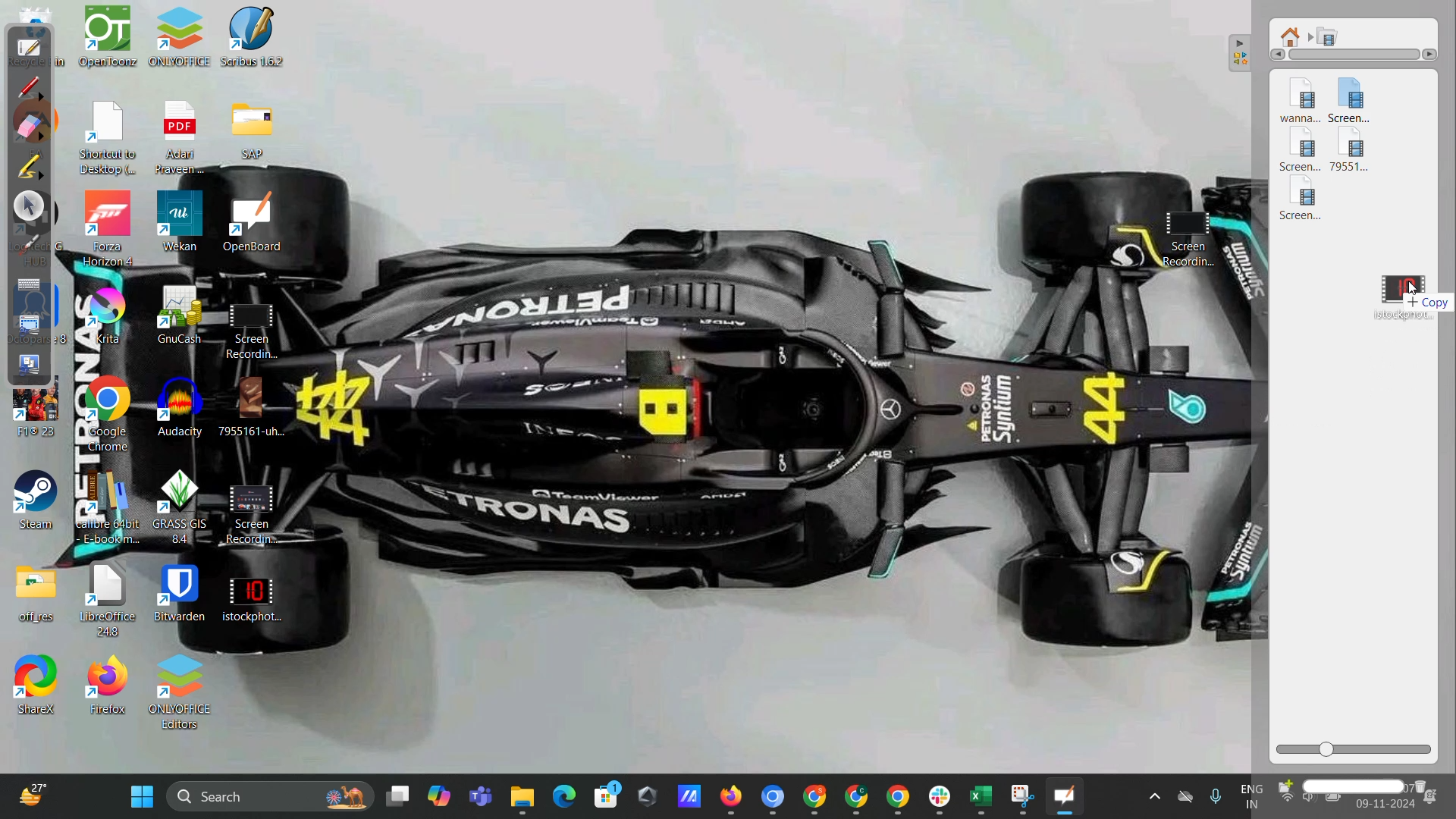 This screenshot has width=1456, height=819. What do you see at coordinates (1384, 808) in the screenshot?
I see `date` at bounding box center [1384, 808].